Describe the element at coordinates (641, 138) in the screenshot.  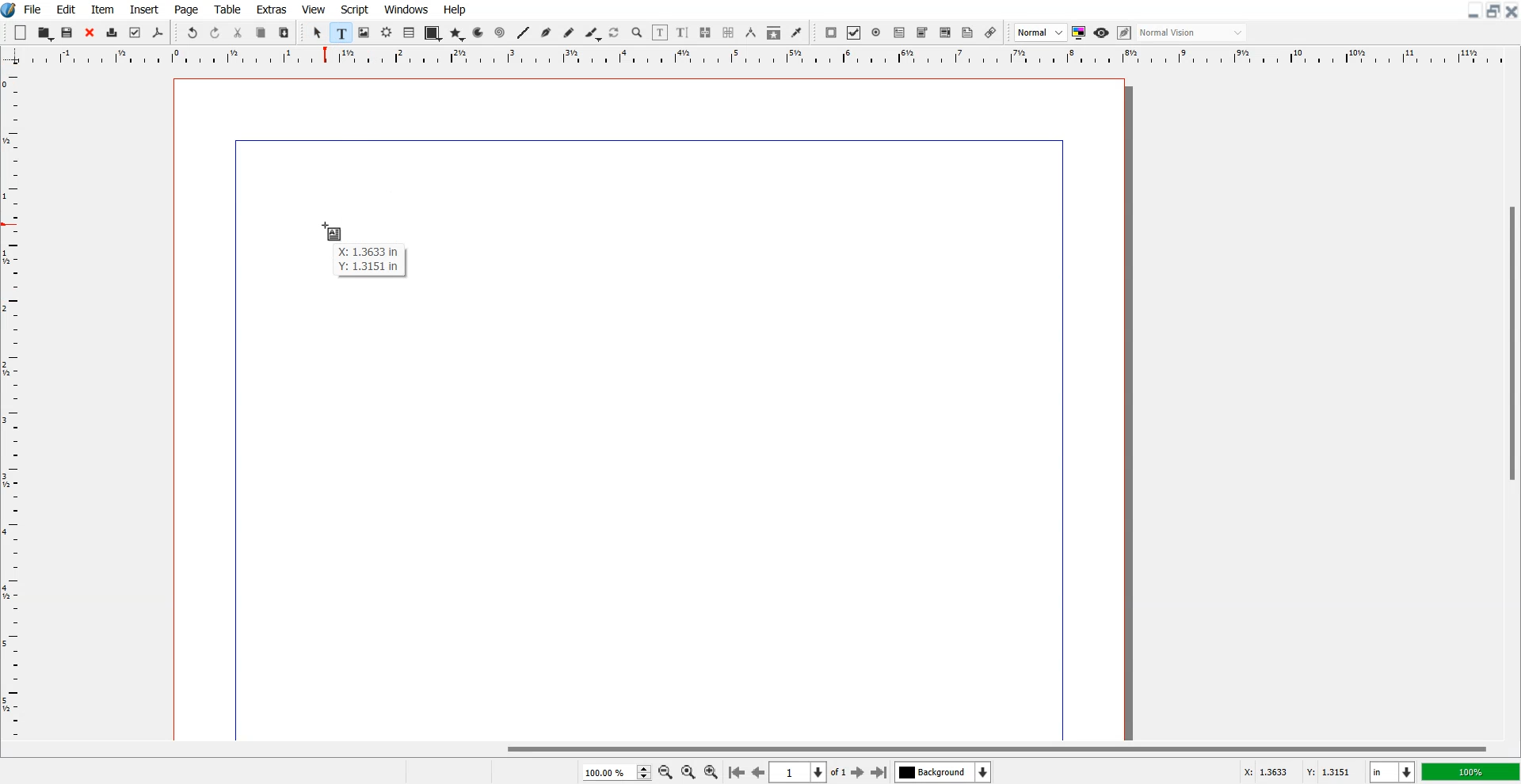
I see `margin` at that location.